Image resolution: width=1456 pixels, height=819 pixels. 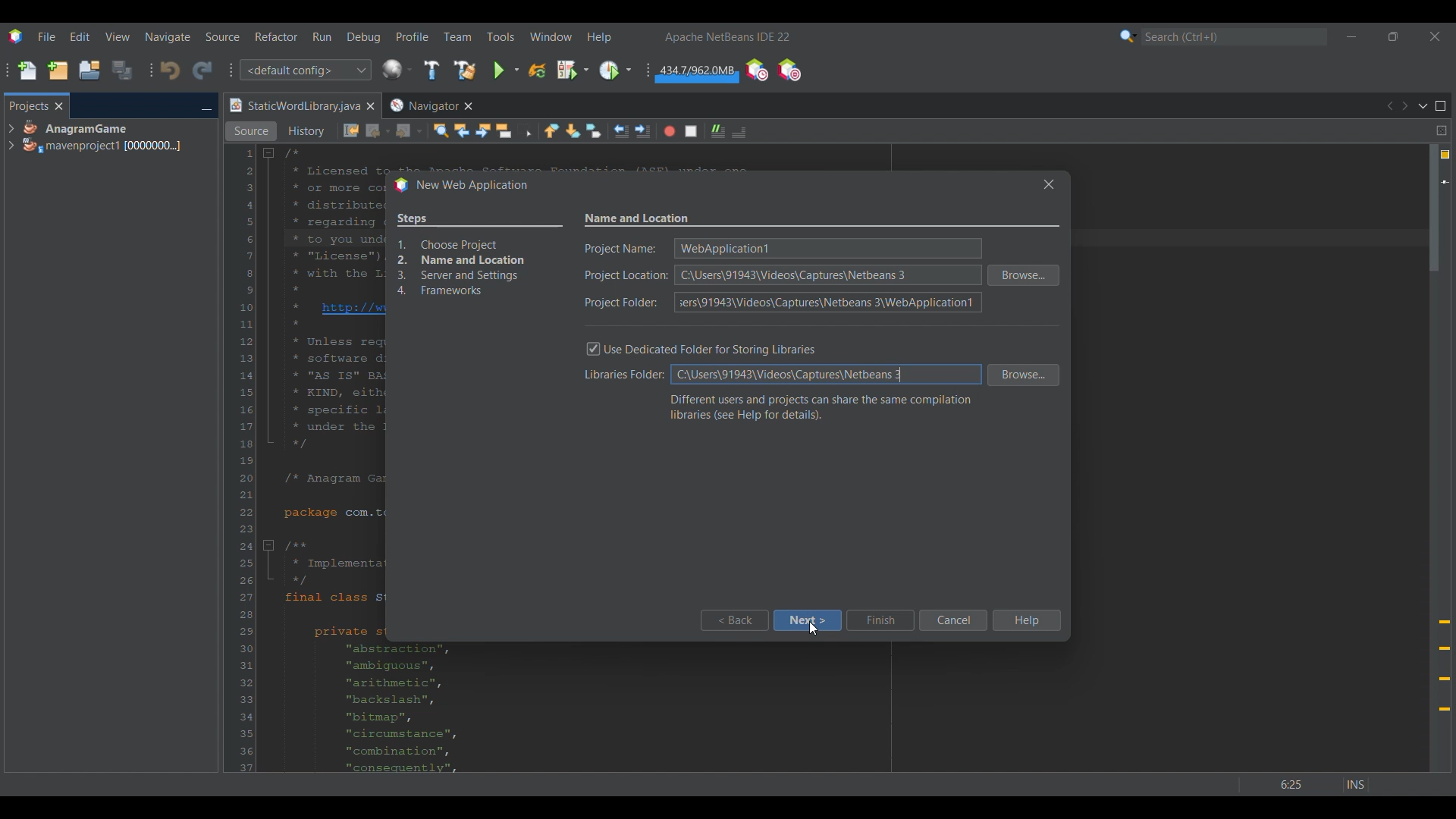 I want to click on Toggle rectangular selection, so click(x=525, y=130).